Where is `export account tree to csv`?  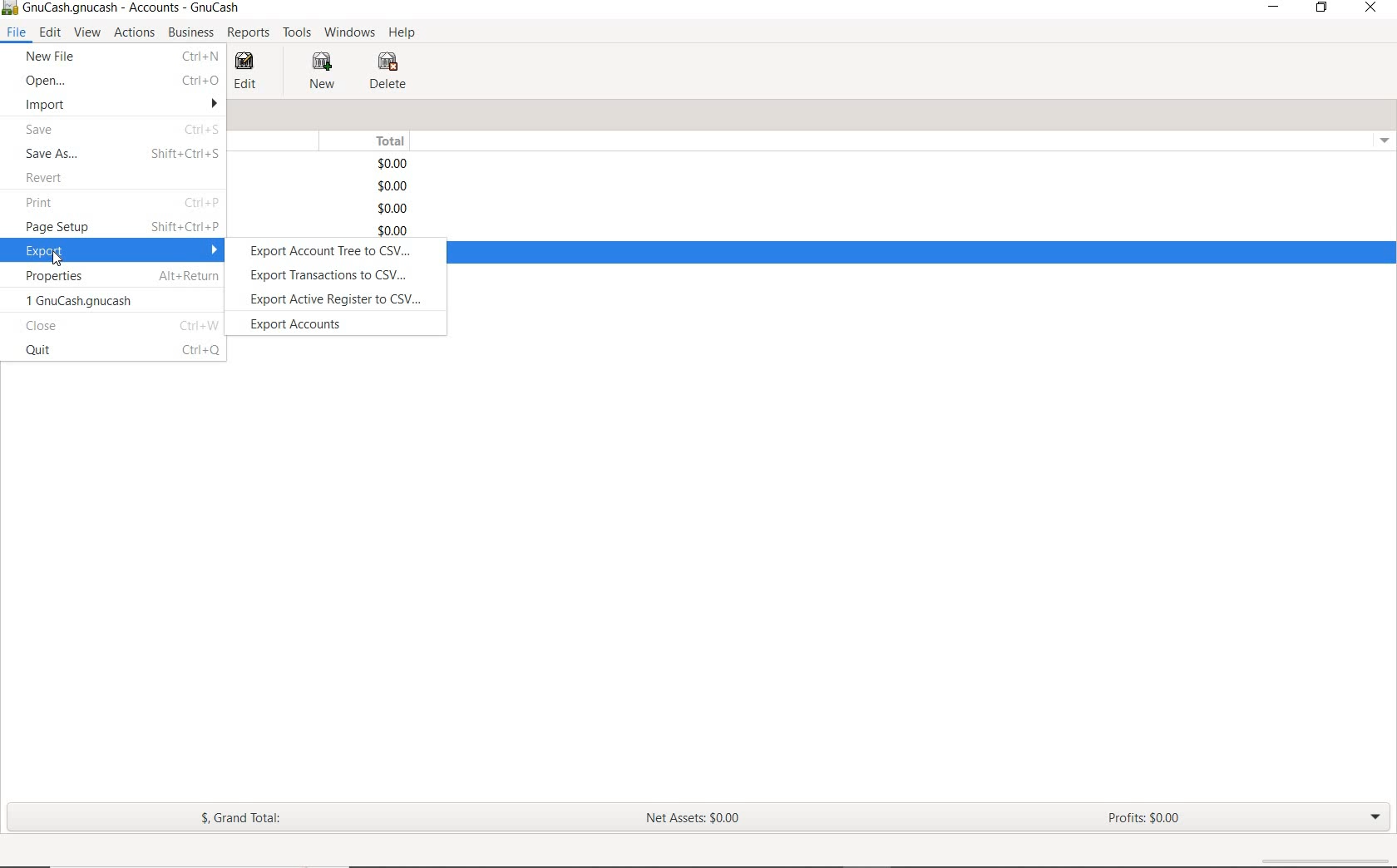 export account tree to csv is located at coordinates (335, 251).